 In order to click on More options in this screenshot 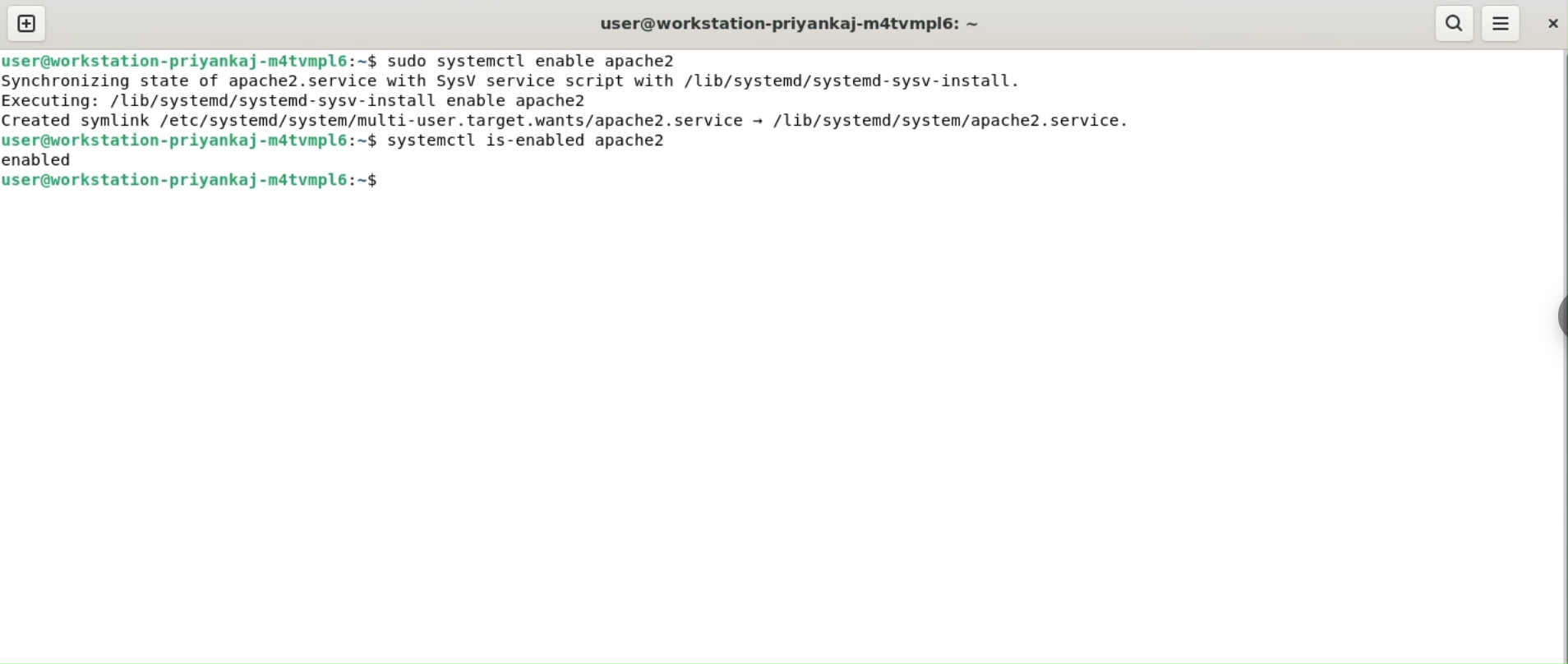, I will do `click(1501, 21)`.